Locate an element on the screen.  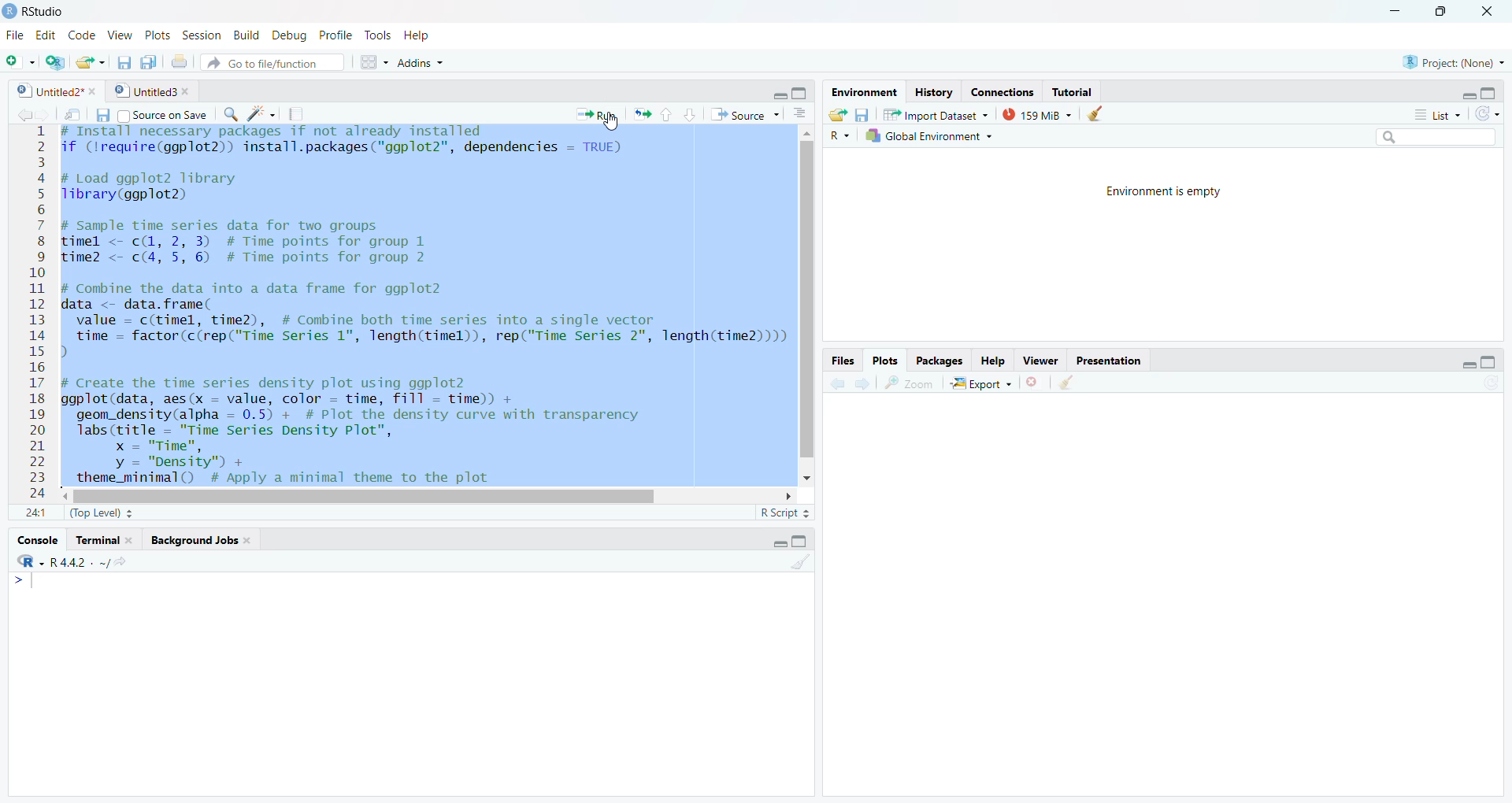
Close is located at coordinates (1487, 13).